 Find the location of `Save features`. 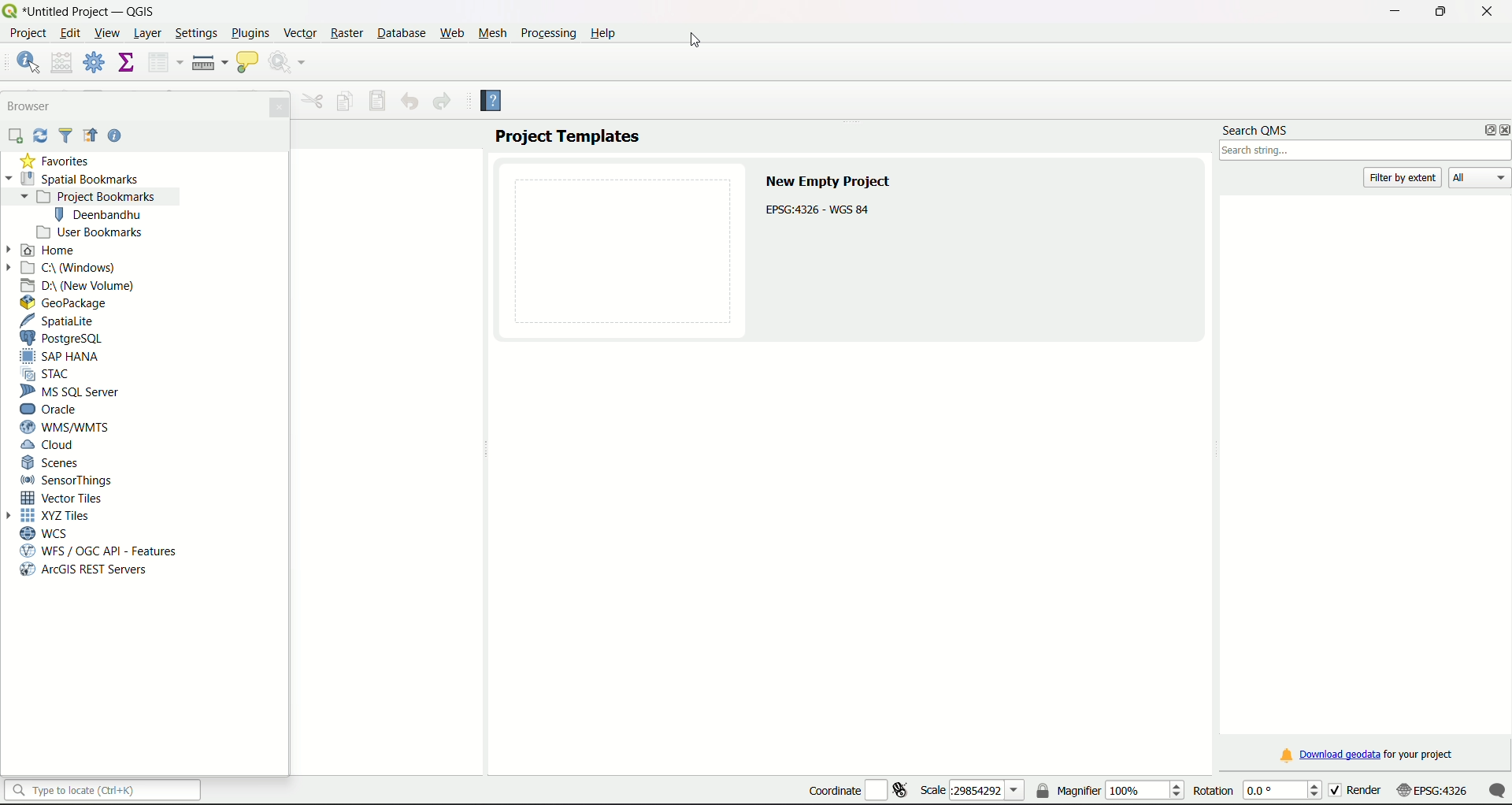

Save features is located at coordinates (379, 101).